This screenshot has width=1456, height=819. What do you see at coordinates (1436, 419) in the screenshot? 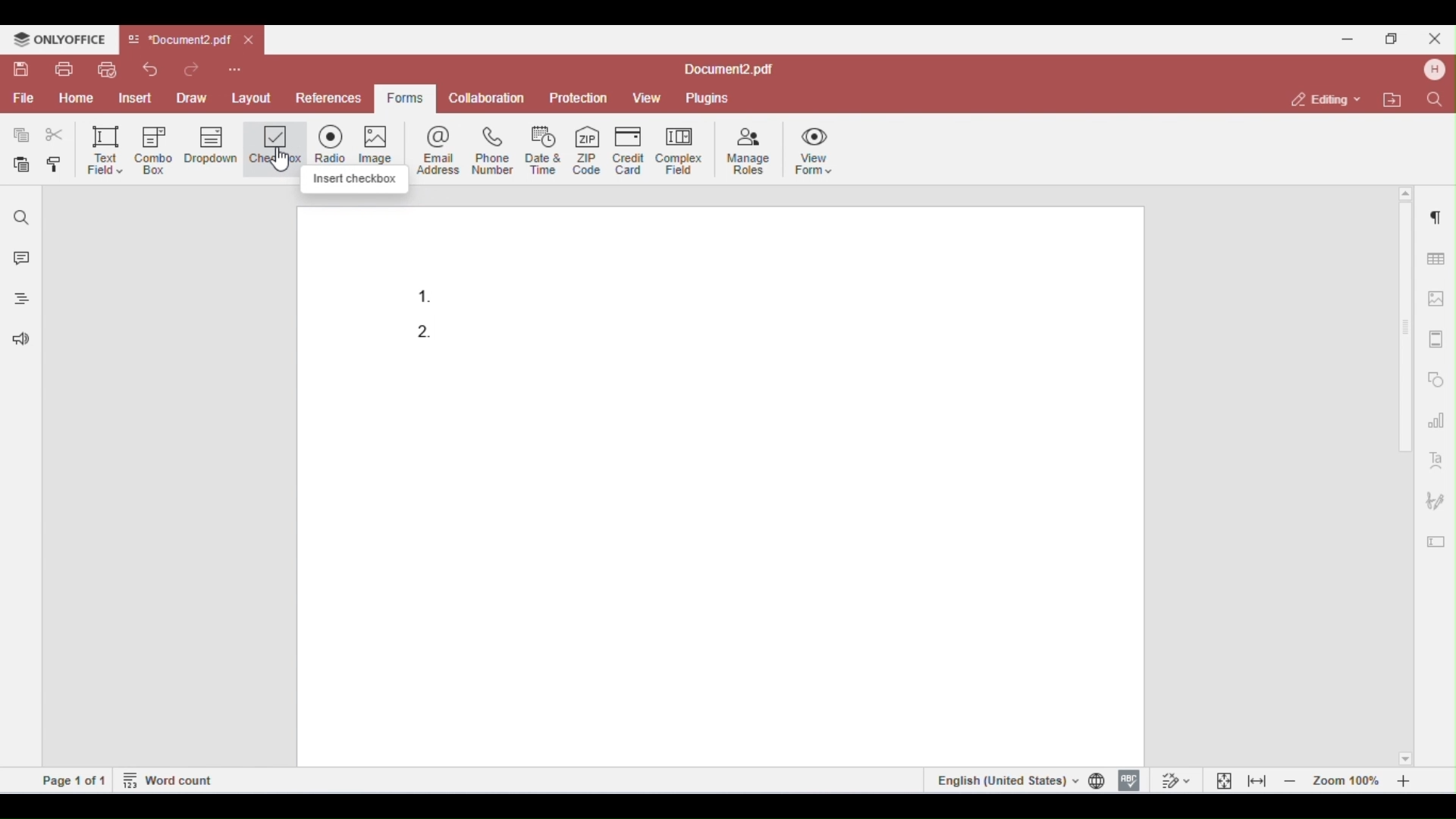
I see `chart settings` at bounding box center [1436, 419].